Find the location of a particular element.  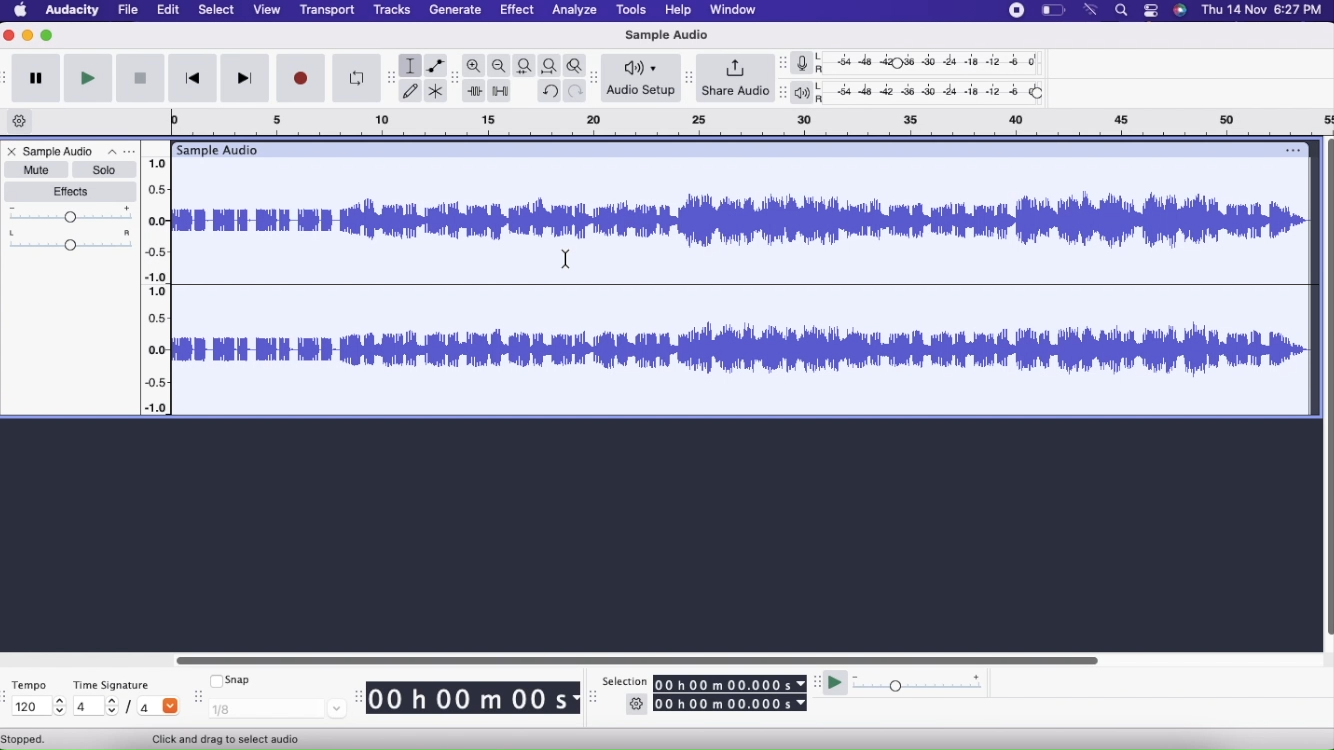

Envelope tool is located at coordinates (437, 64).